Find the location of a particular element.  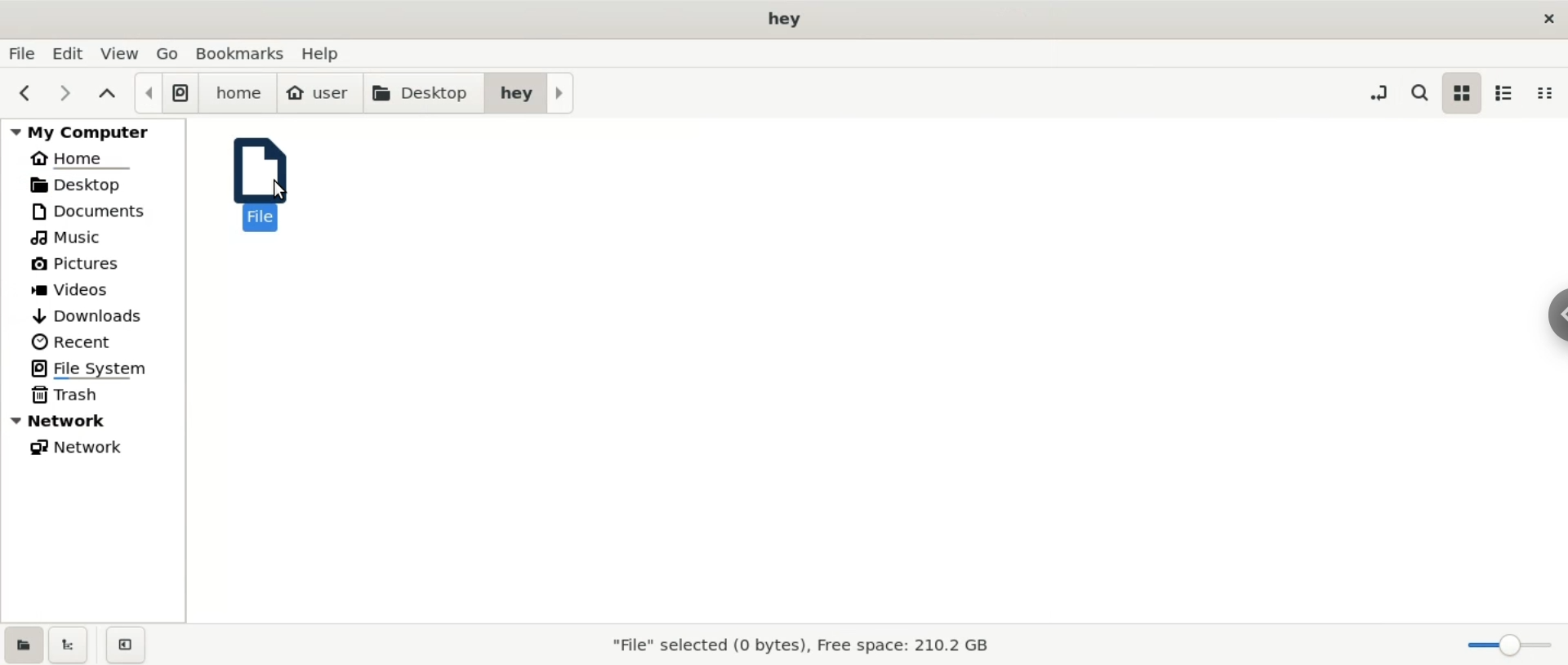

my computer is located at coordinates (93, 129).